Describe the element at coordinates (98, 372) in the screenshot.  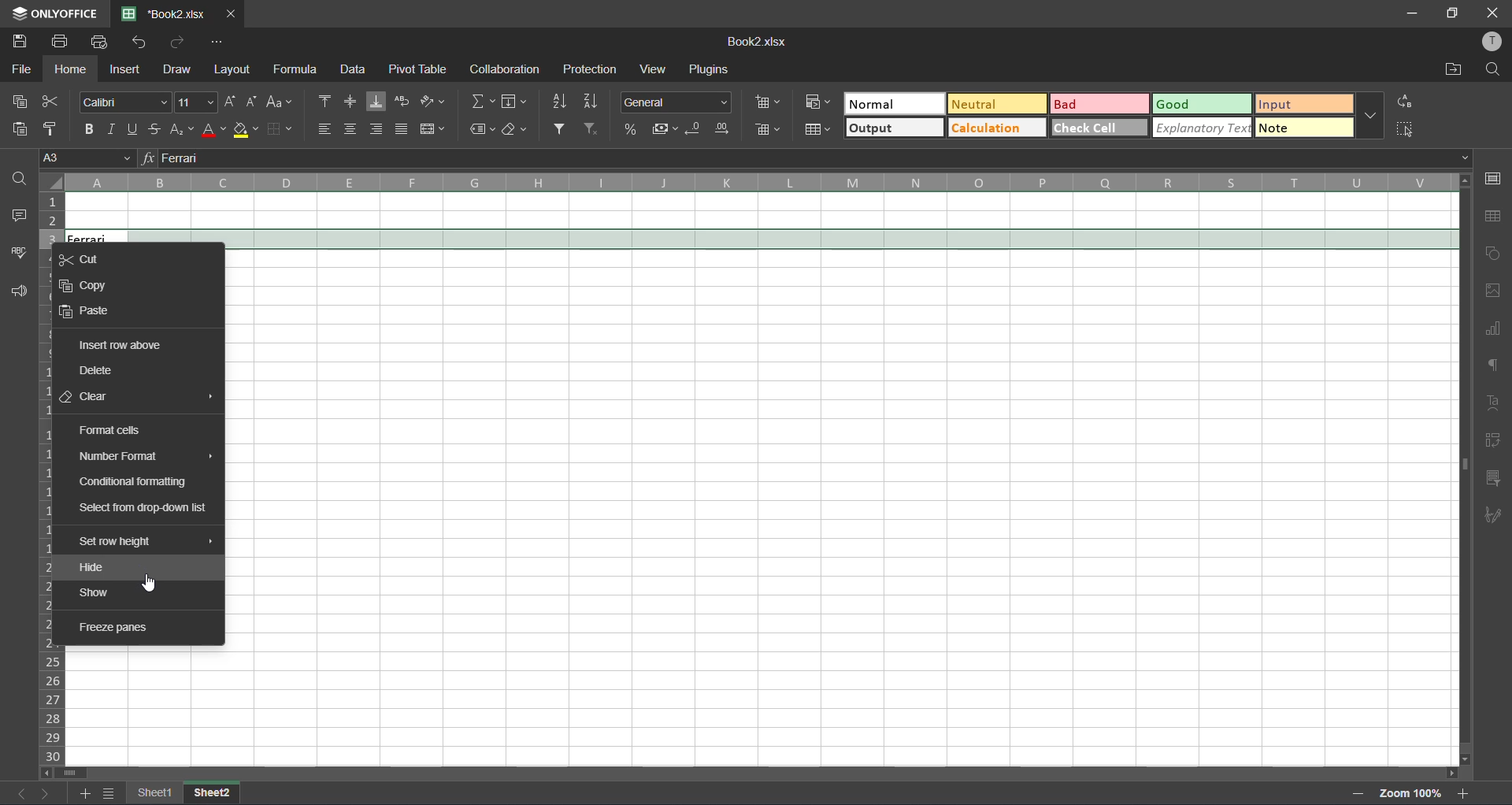
I see `delete ` at that location.